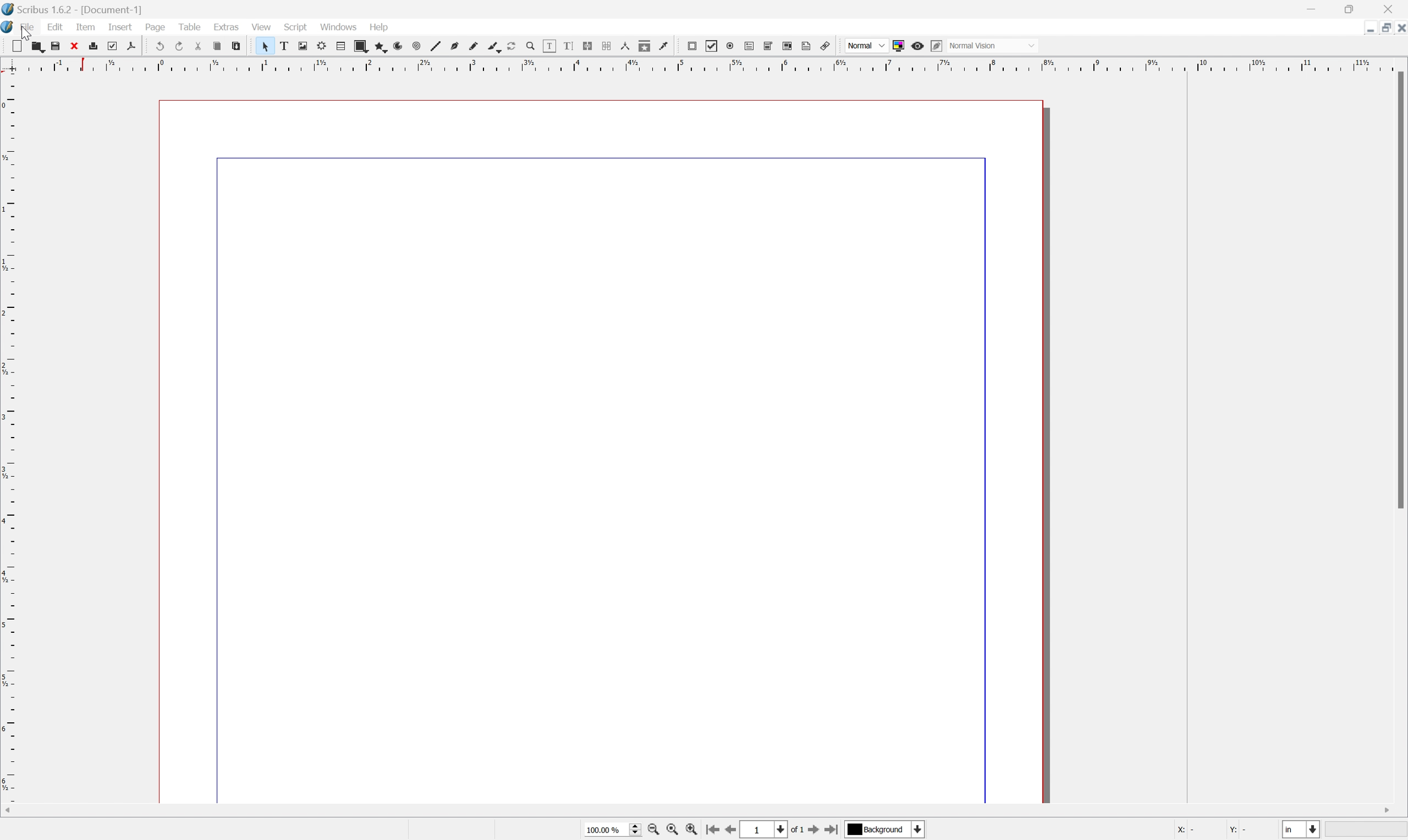 The height and width of the screenshot is (840, 1408). Describe the element at coordinates (78, 46) in the screenshot. I see `Close` at that location.